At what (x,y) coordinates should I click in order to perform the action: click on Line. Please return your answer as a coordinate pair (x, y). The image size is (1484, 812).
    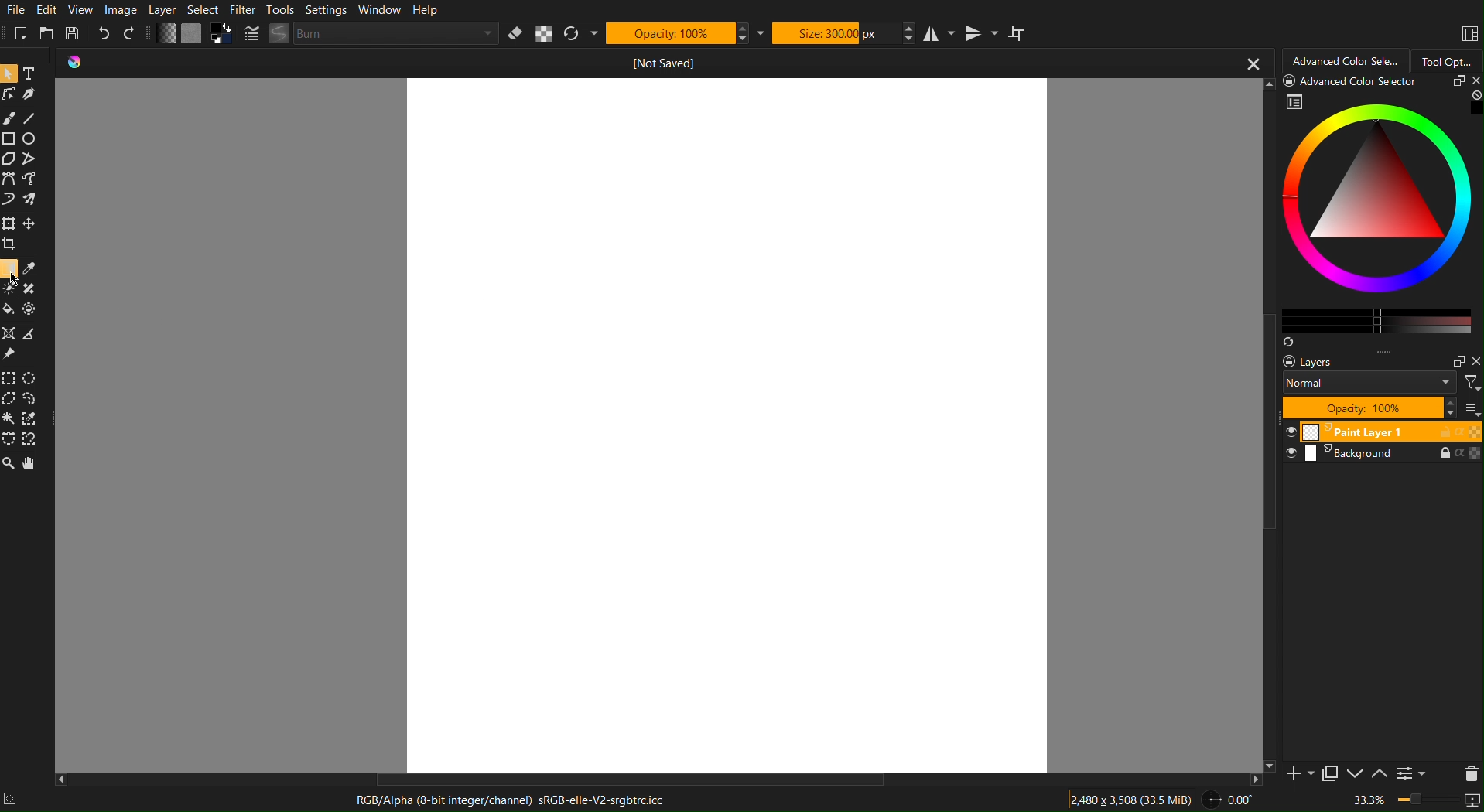
    Looking at the image, I should click on (30, 118).